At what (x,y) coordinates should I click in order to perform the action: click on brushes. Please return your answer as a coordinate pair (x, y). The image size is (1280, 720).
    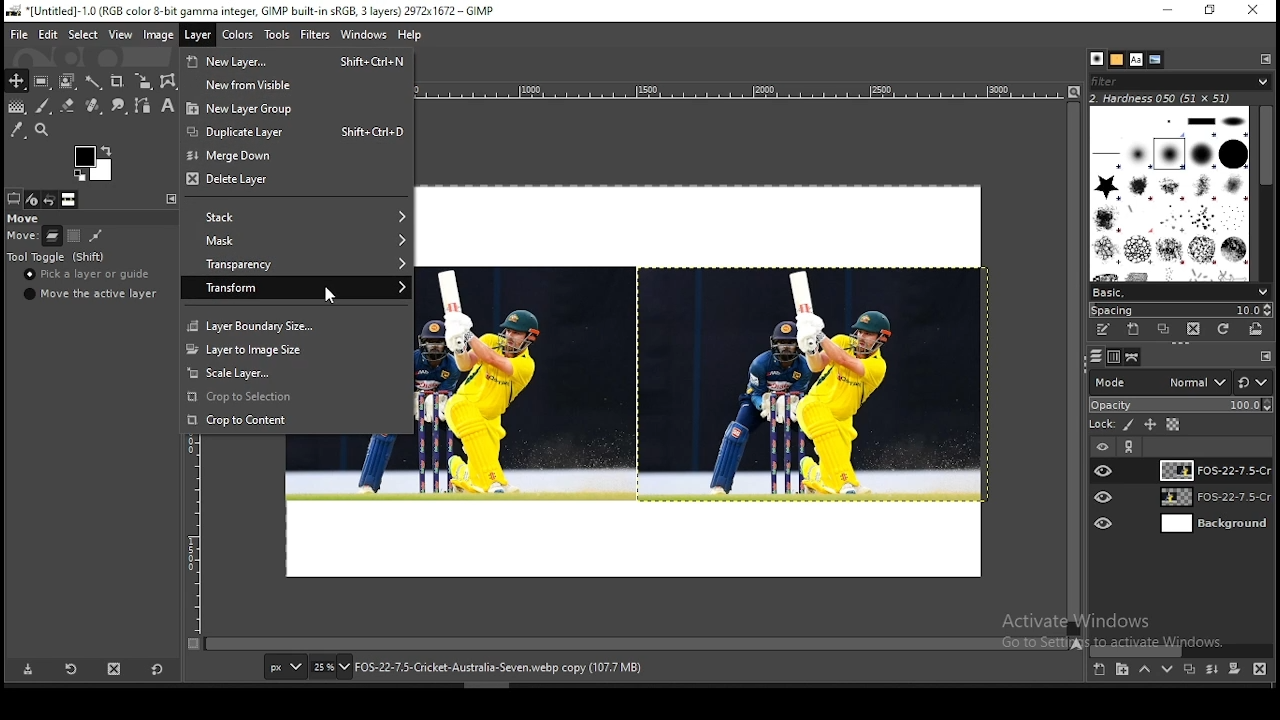
    Looking at the image, I should click on (1097, 59).